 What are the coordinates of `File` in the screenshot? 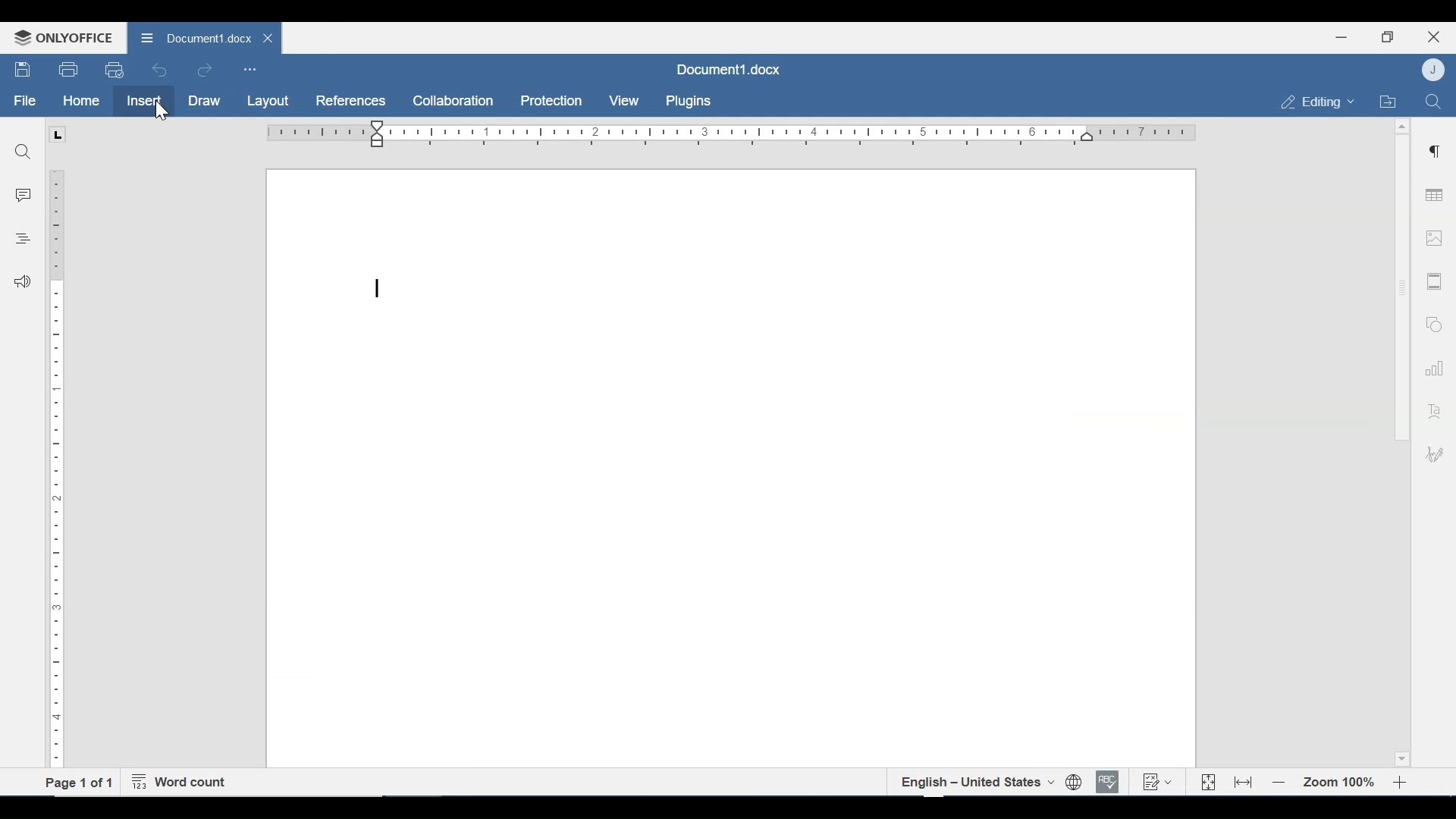 It's located at (26, 101).